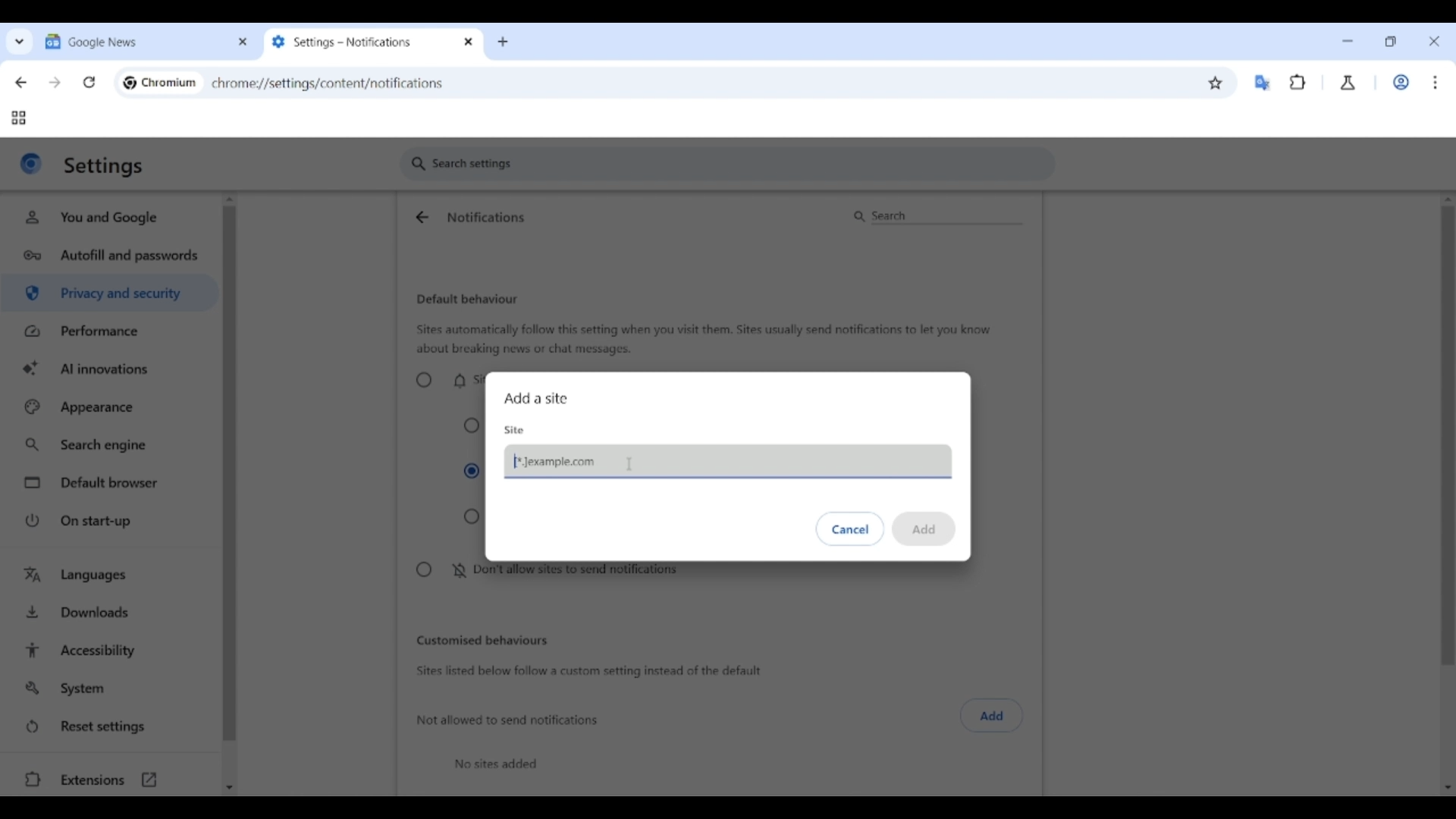 The image size is (1456, 819). I want to click on chromey//settings/content/notifications, so click(328, 82).